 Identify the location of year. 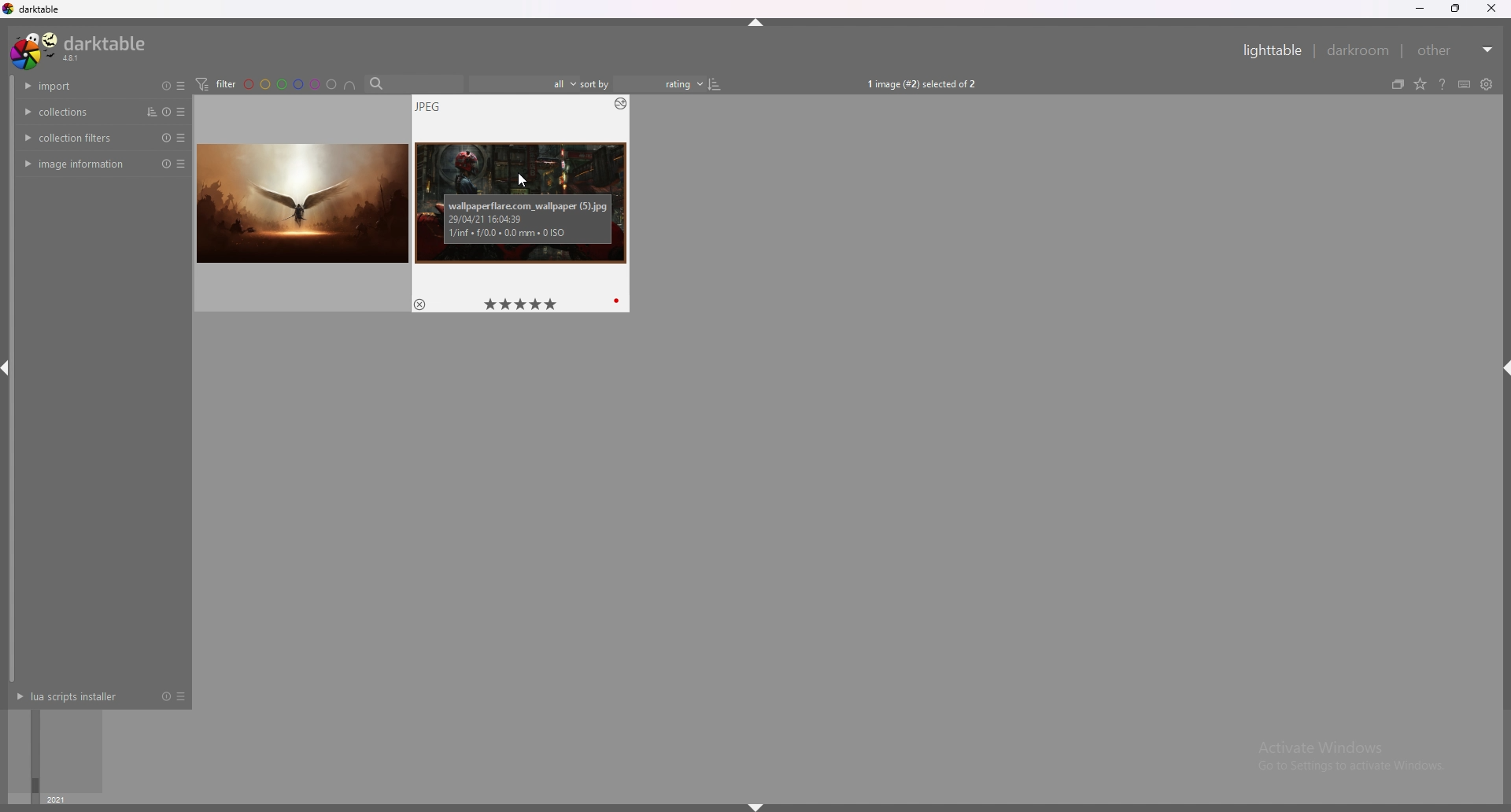
(59, 798).